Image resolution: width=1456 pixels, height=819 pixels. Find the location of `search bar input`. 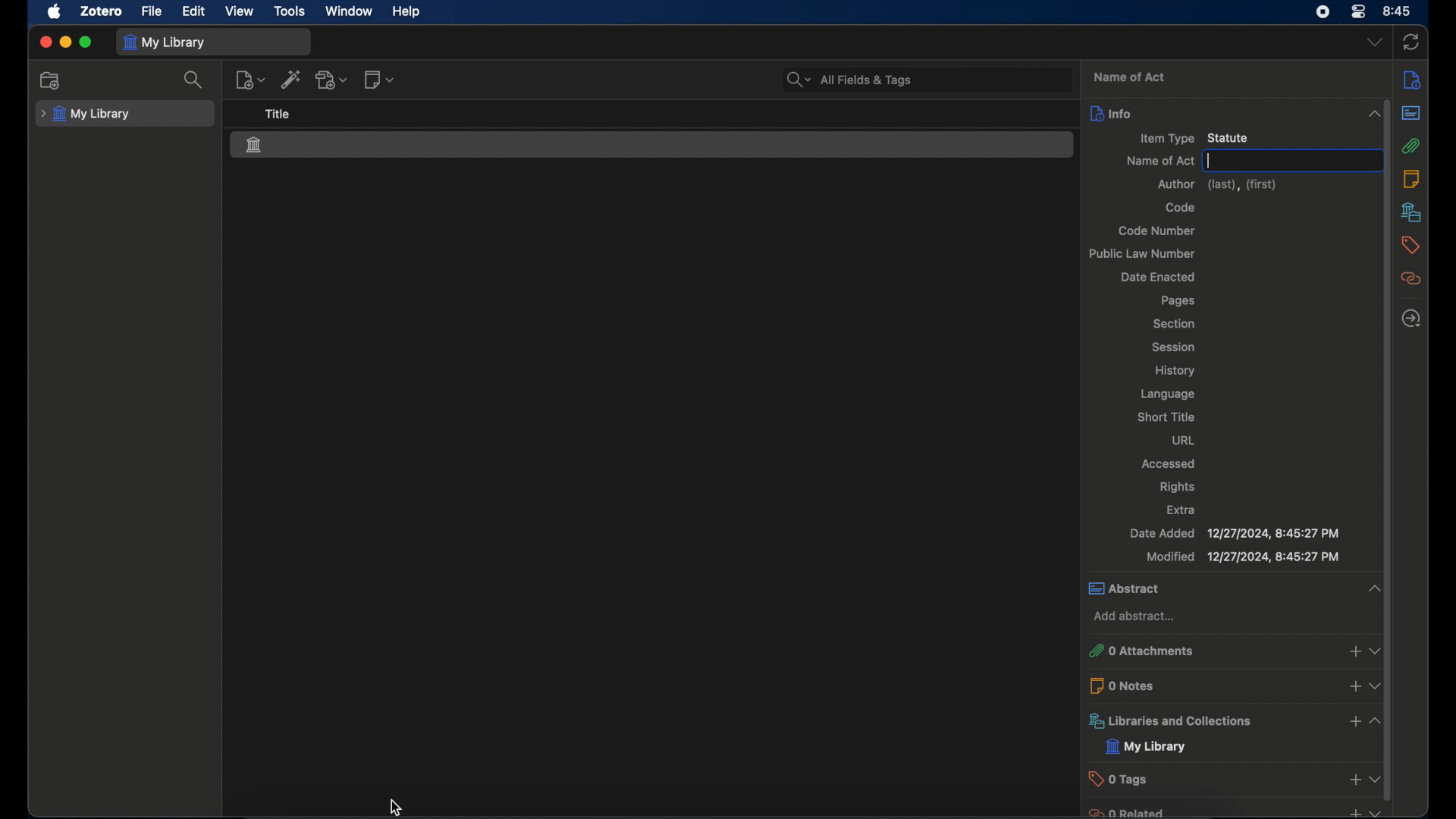

search bar input is located at coordinates (943, 81).